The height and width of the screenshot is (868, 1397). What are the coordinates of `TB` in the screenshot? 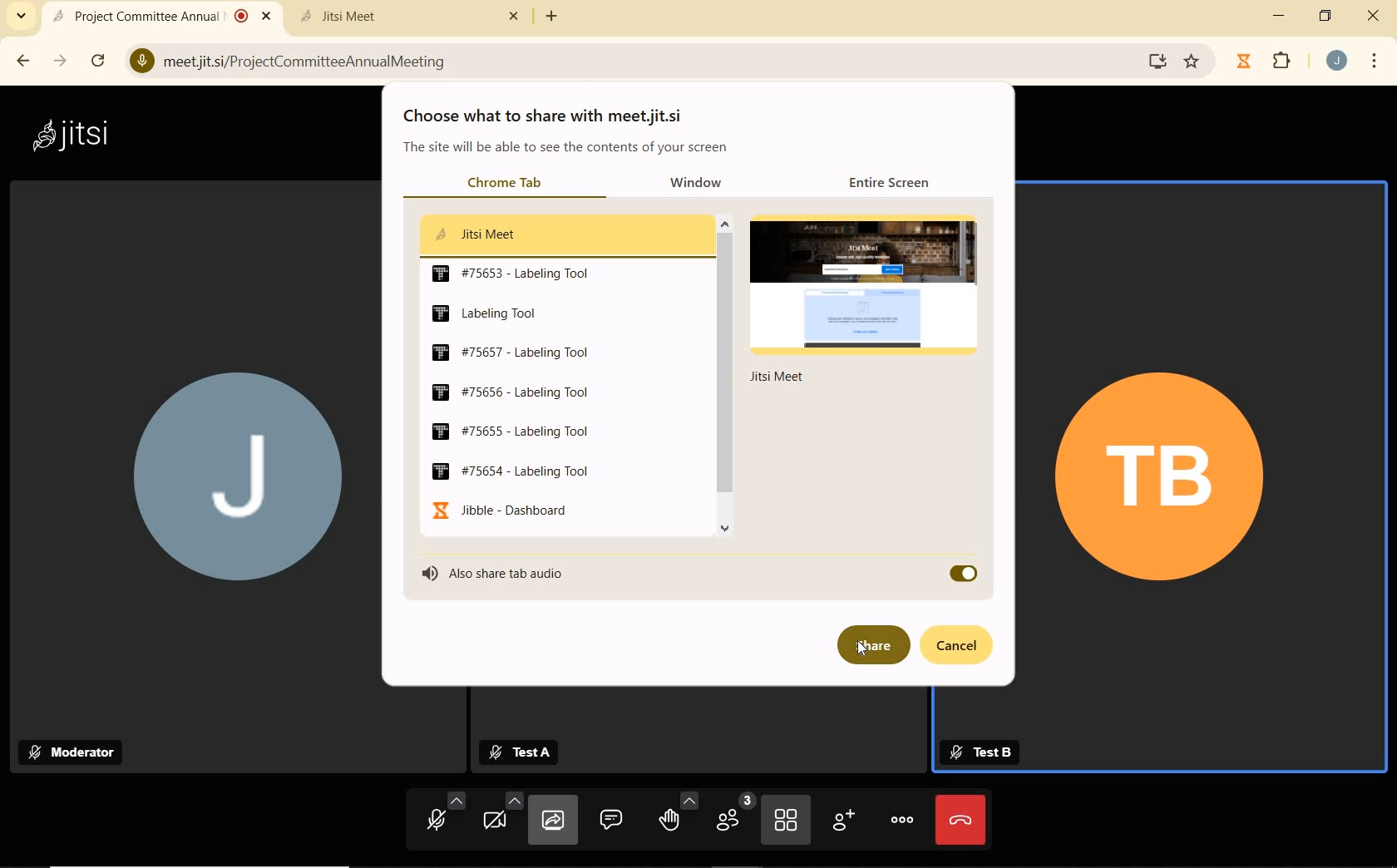 It's located at (1161, 478).